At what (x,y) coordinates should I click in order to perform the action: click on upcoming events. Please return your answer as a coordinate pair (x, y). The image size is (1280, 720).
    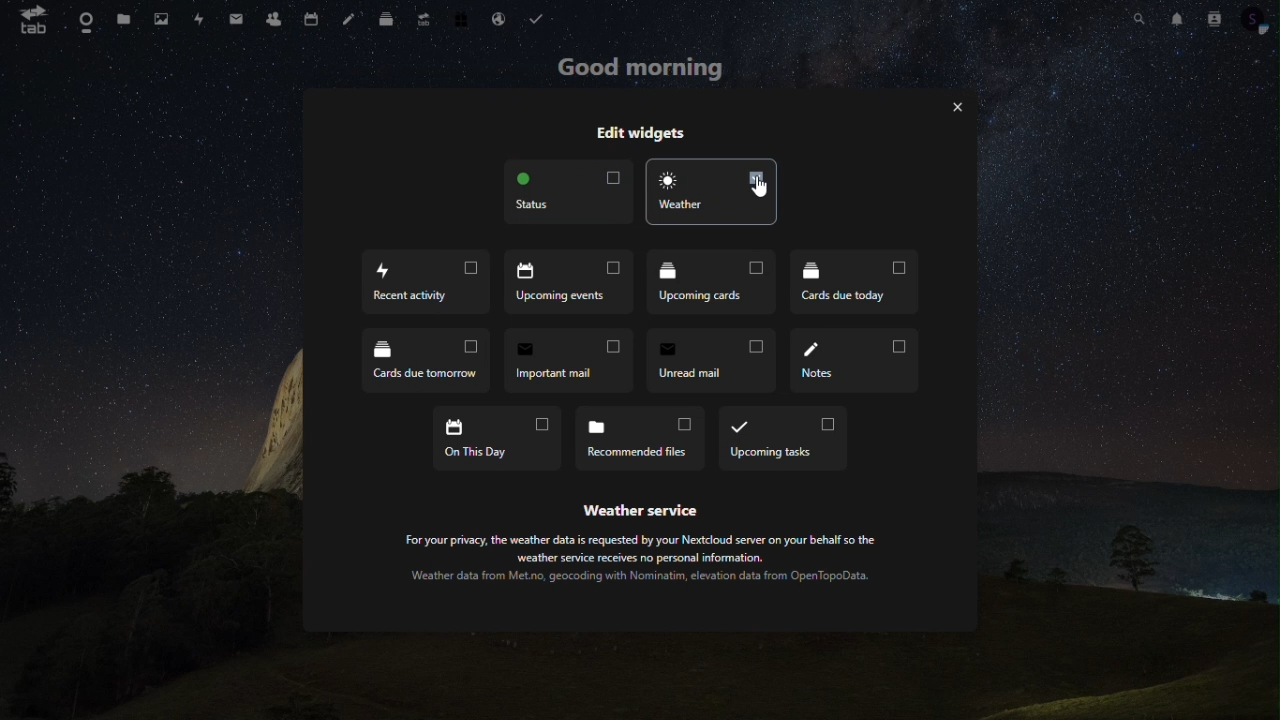
    Looking at the image, I should click on (570, 280).